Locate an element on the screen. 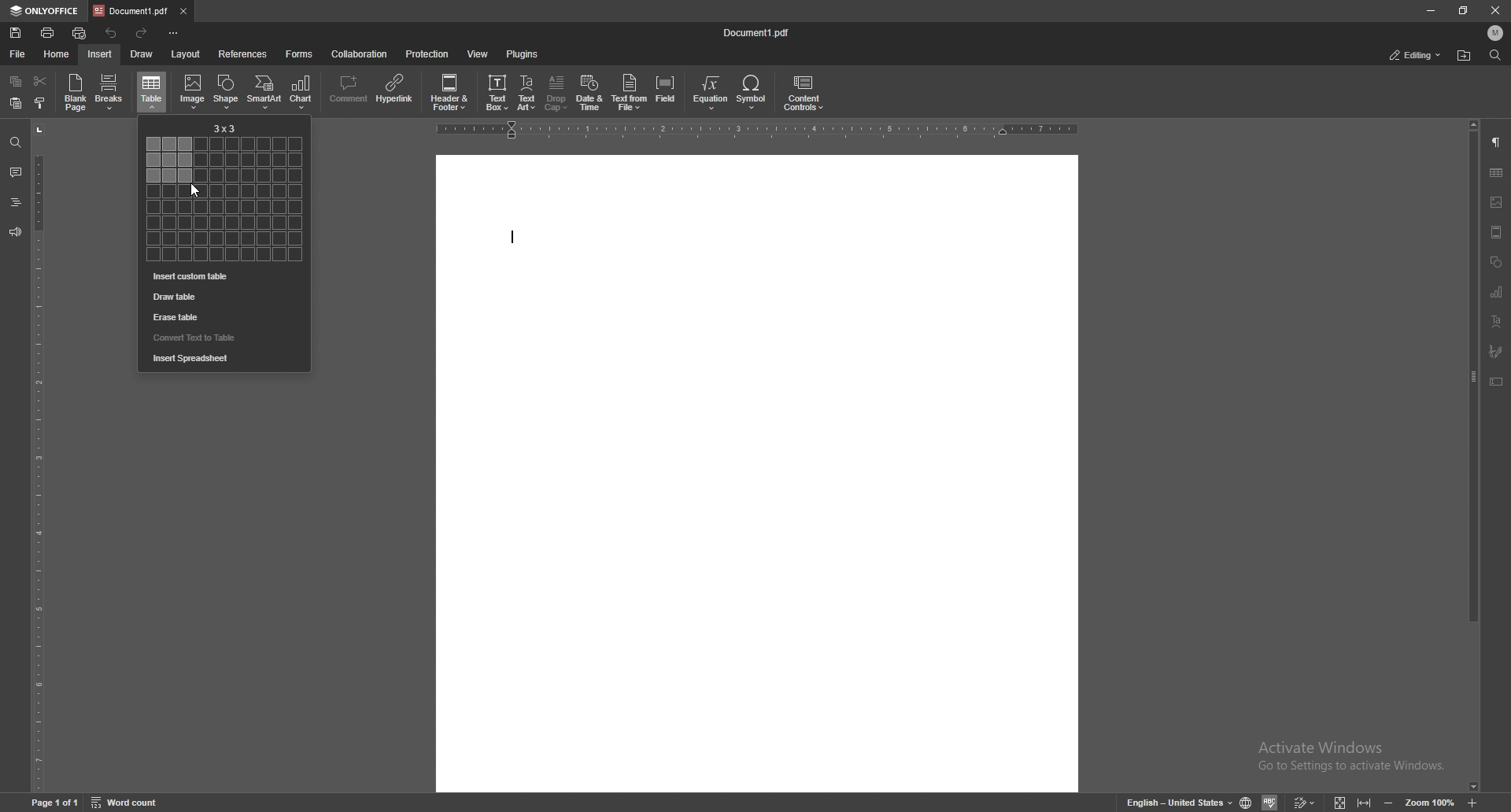 Image resolution: width=1511 pixels, height=812 pixels. redo is located at coordinates (142, 35).